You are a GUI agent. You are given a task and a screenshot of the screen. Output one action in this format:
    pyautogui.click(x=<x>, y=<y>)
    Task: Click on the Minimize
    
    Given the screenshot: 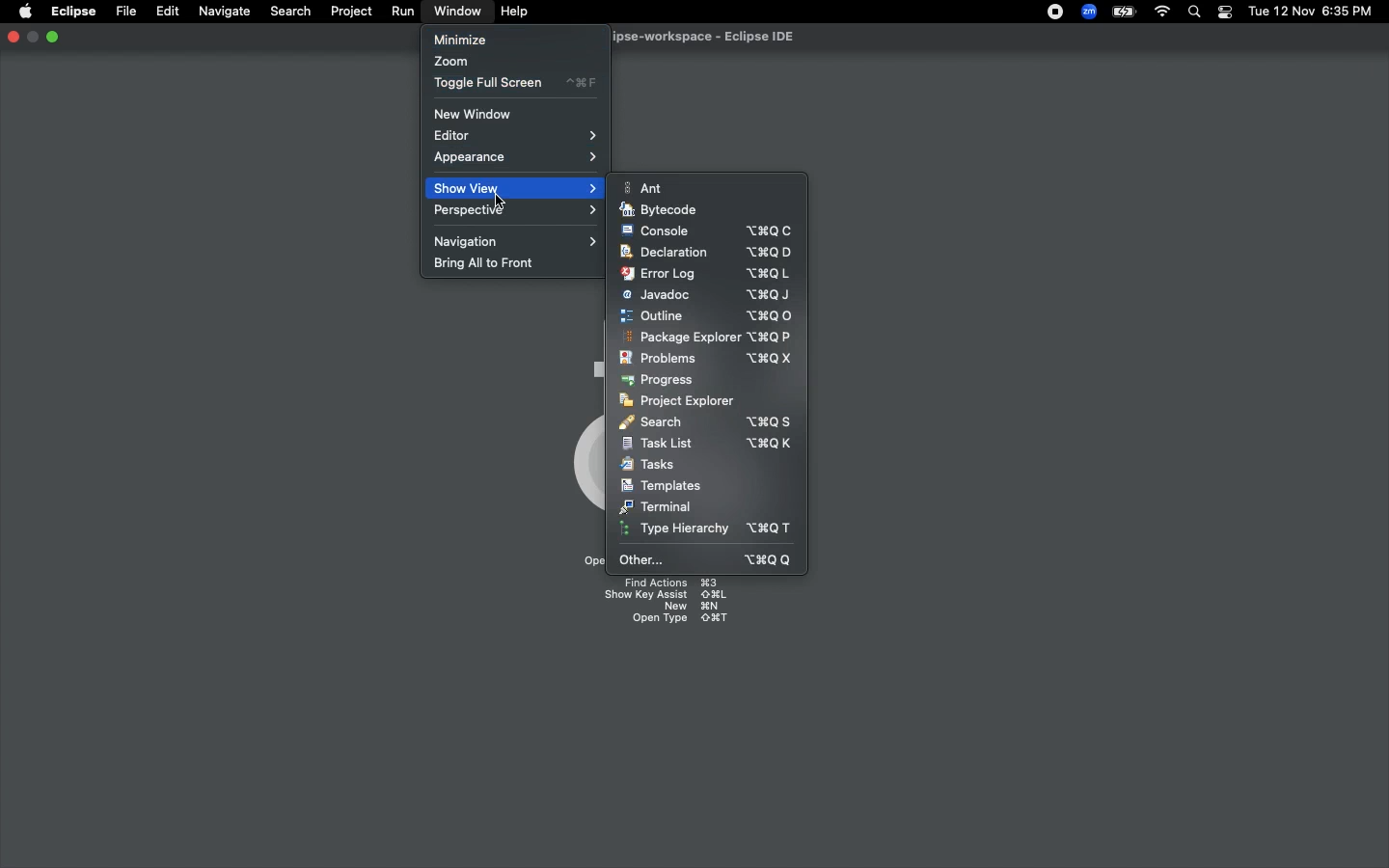 What is the action you would take?
    pyautogui.click(x=460, y=39)
    